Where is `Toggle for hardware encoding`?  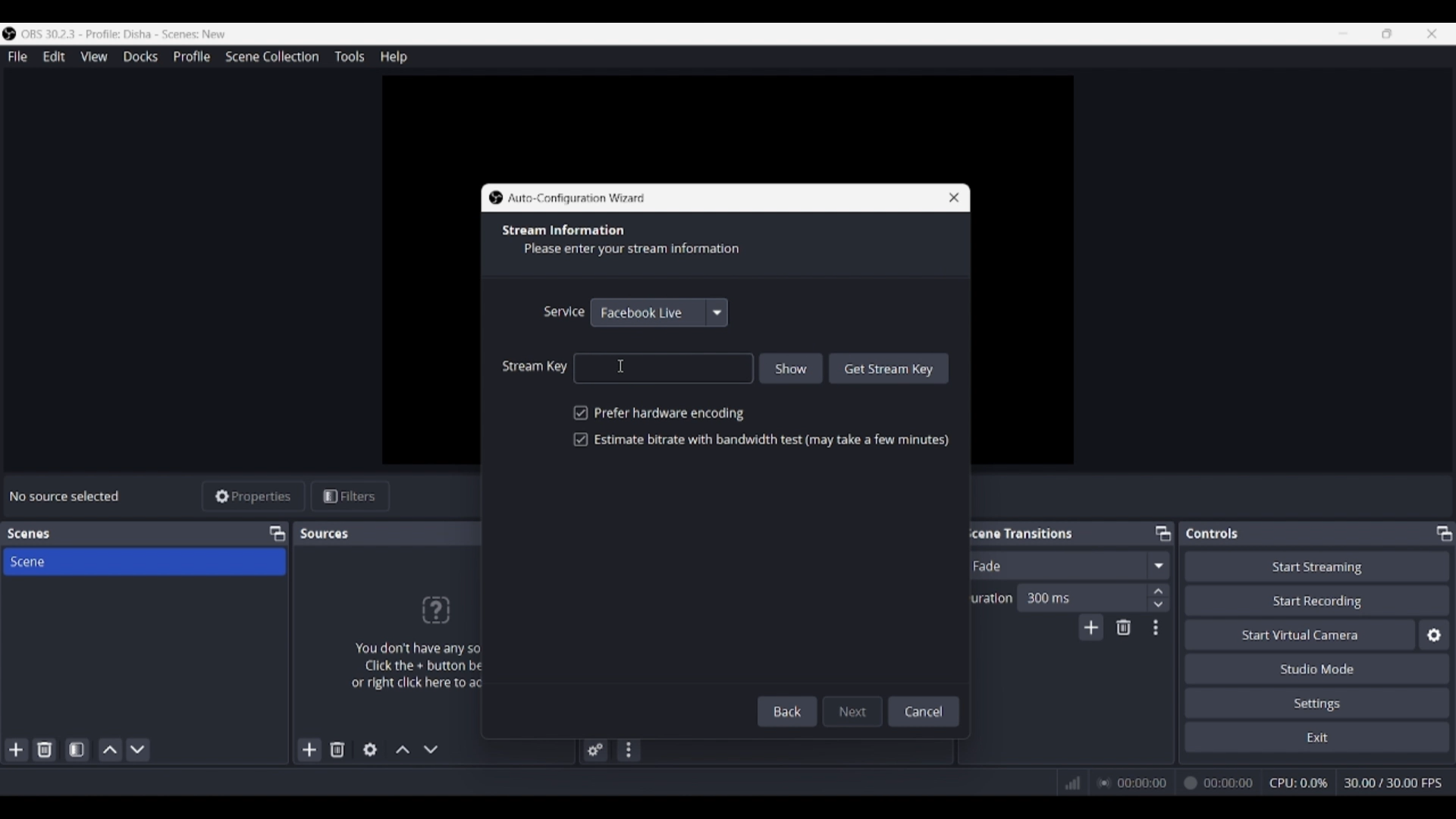
Toggle for hardware encoding is located at coordinates (659, 413).